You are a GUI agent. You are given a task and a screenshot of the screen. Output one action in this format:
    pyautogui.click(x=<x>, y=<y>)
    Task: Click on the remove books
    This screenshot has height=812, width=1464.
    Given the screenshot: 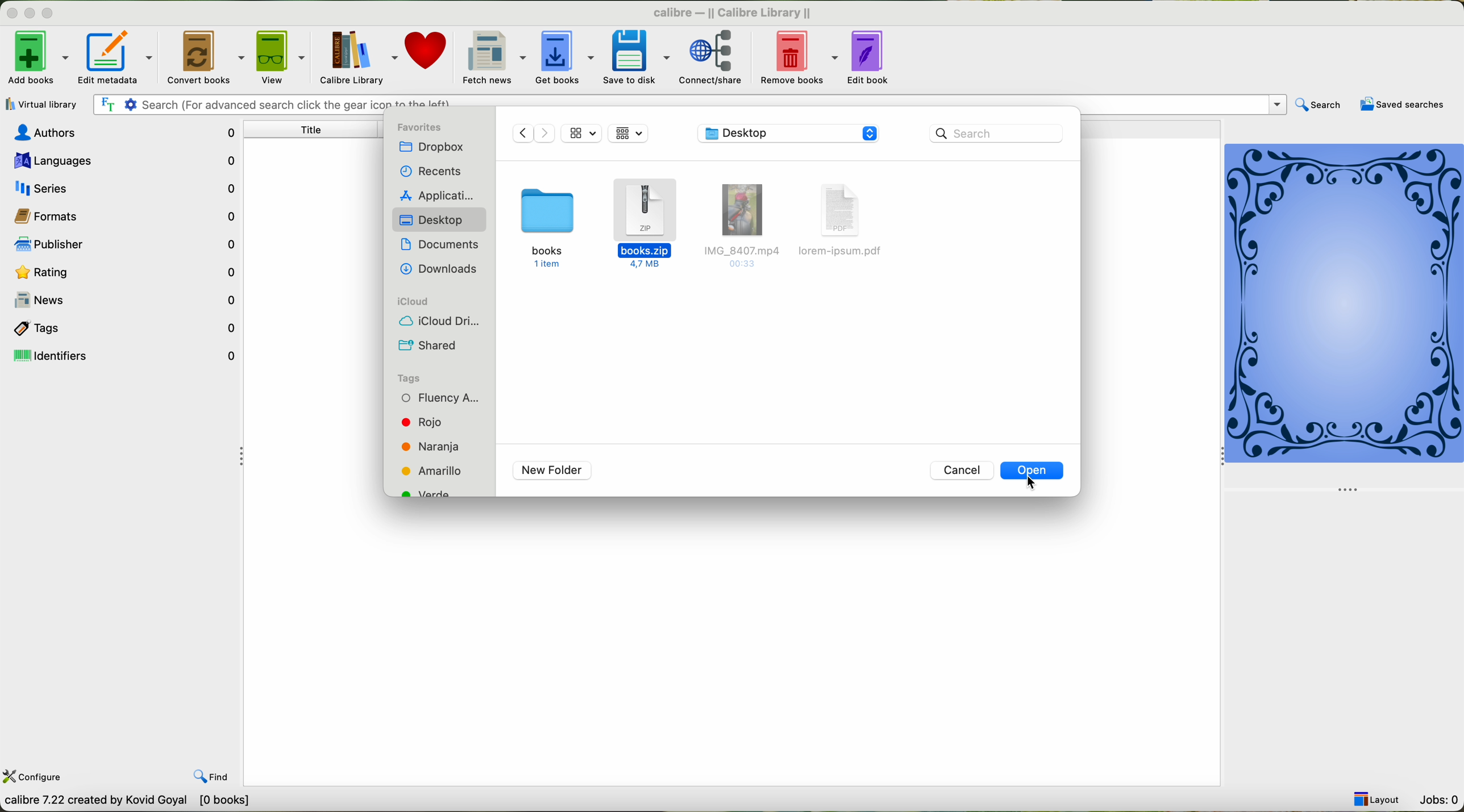 What is the action you would take?
    pyautogui.click(x=801, y=58)
    